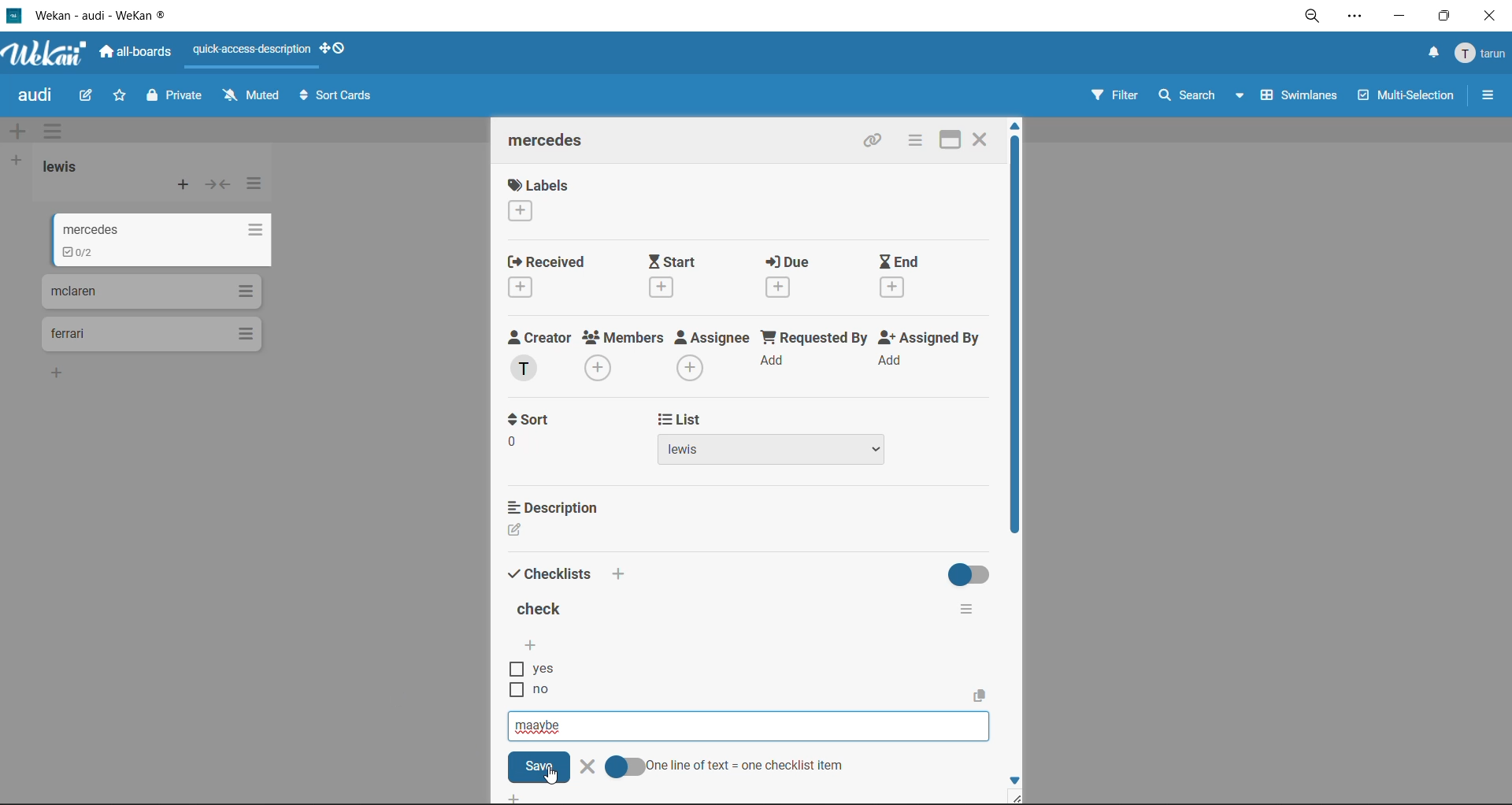 This screenshot has width=1512, height=805. What do you see at coordinates (624, 339) in the screenshot?
I see `members` at bounding box center [624, 339].